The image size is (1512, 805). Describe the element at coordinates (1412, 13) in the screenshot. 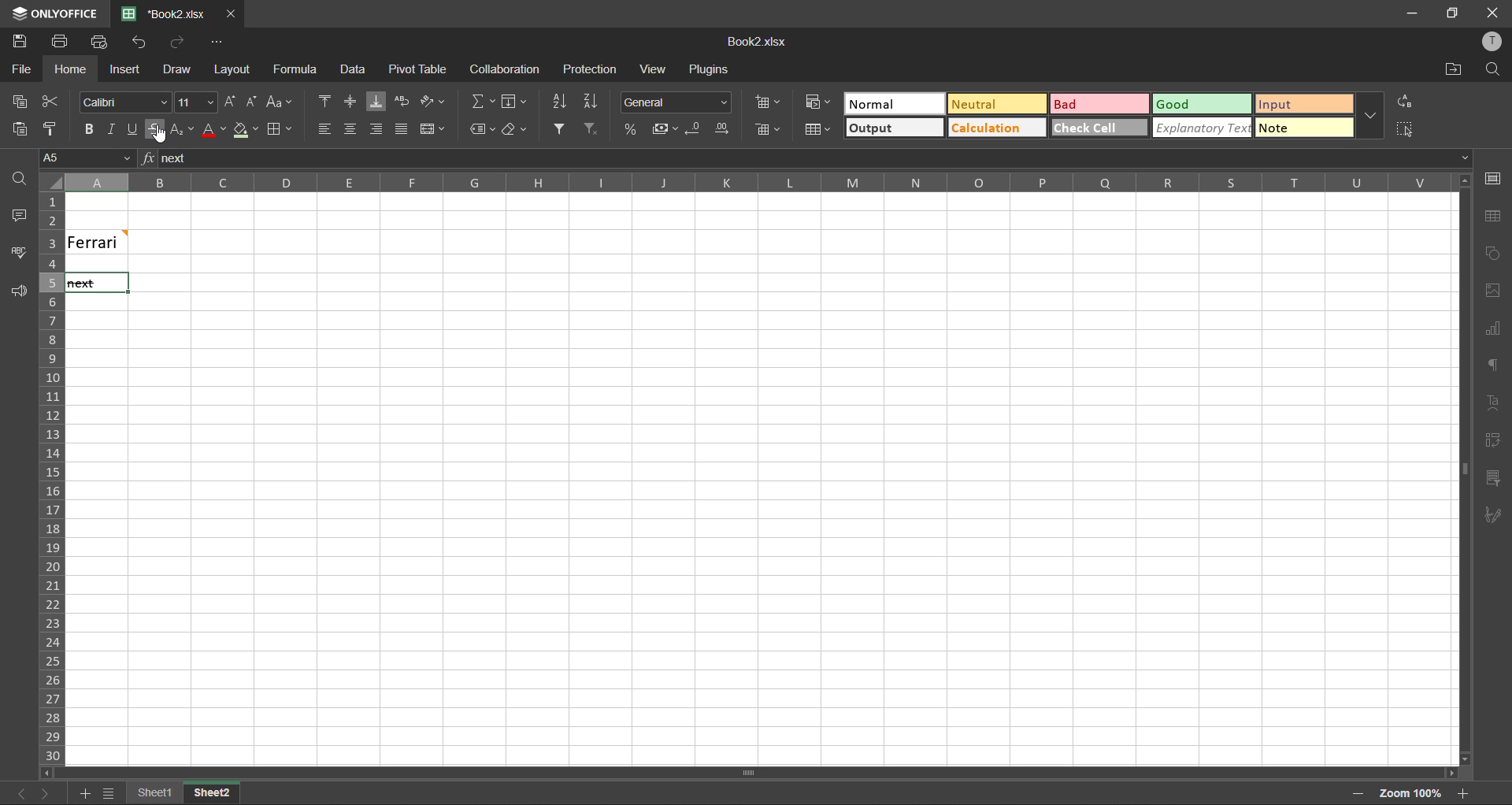

I see `minimize` at that location.